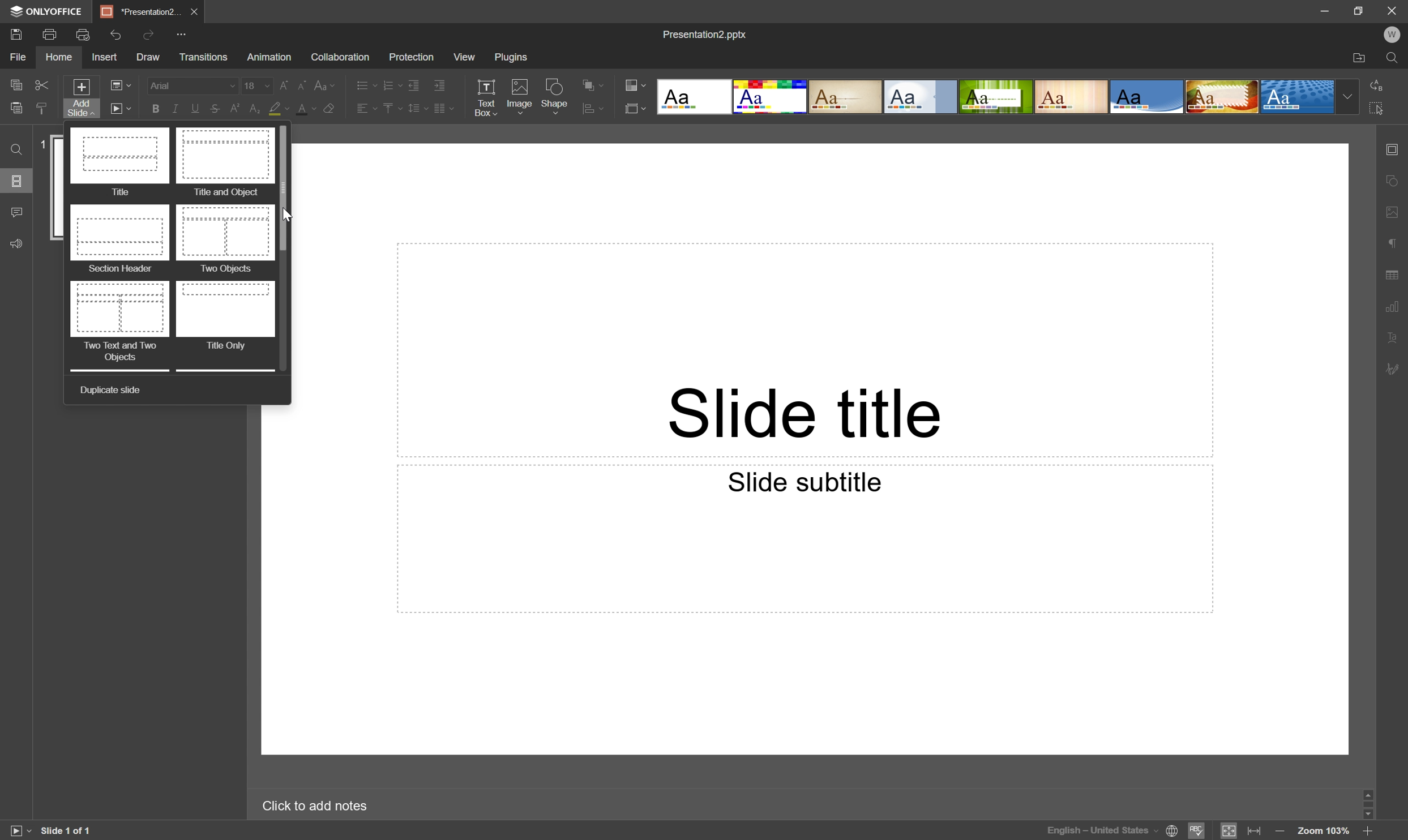 The image size is (1408, 840). What do you see at coordinates (1173, 833) in the screenshot?
I see `Set document language` at bounding box center [1173, 833].